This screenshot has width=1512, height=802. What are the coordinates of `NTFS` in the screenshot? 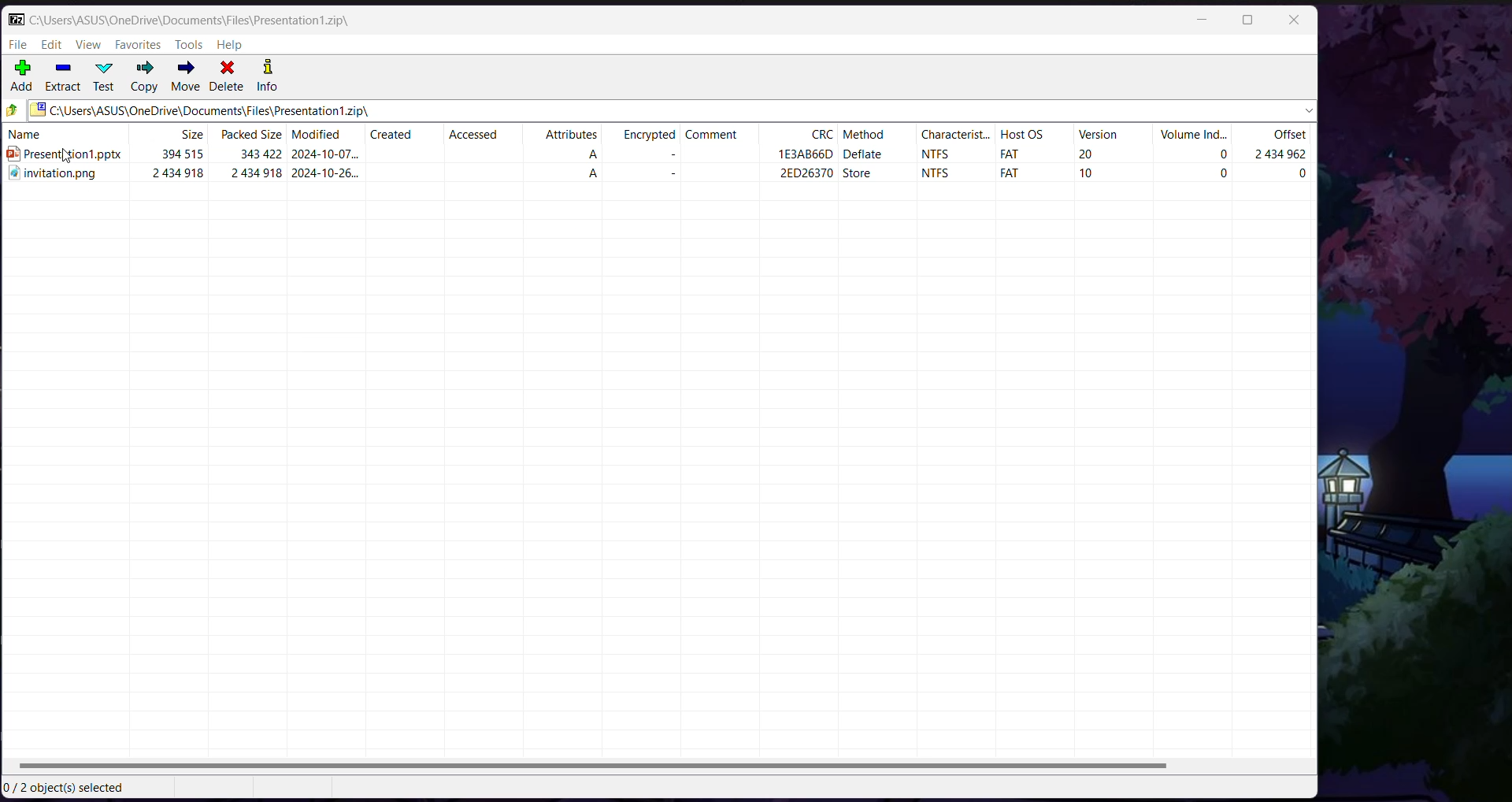 It's located at (937, 176).